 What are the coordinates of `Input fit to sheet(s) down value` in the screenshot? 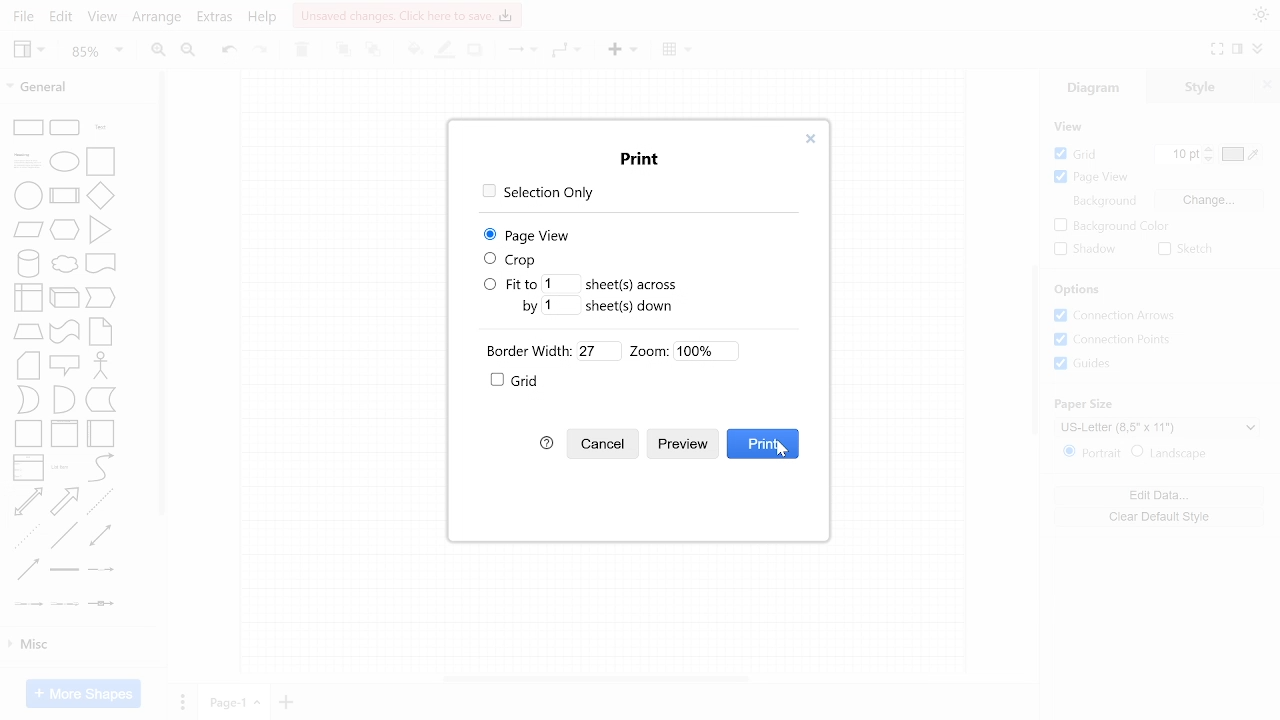 It's located at (561, 305).